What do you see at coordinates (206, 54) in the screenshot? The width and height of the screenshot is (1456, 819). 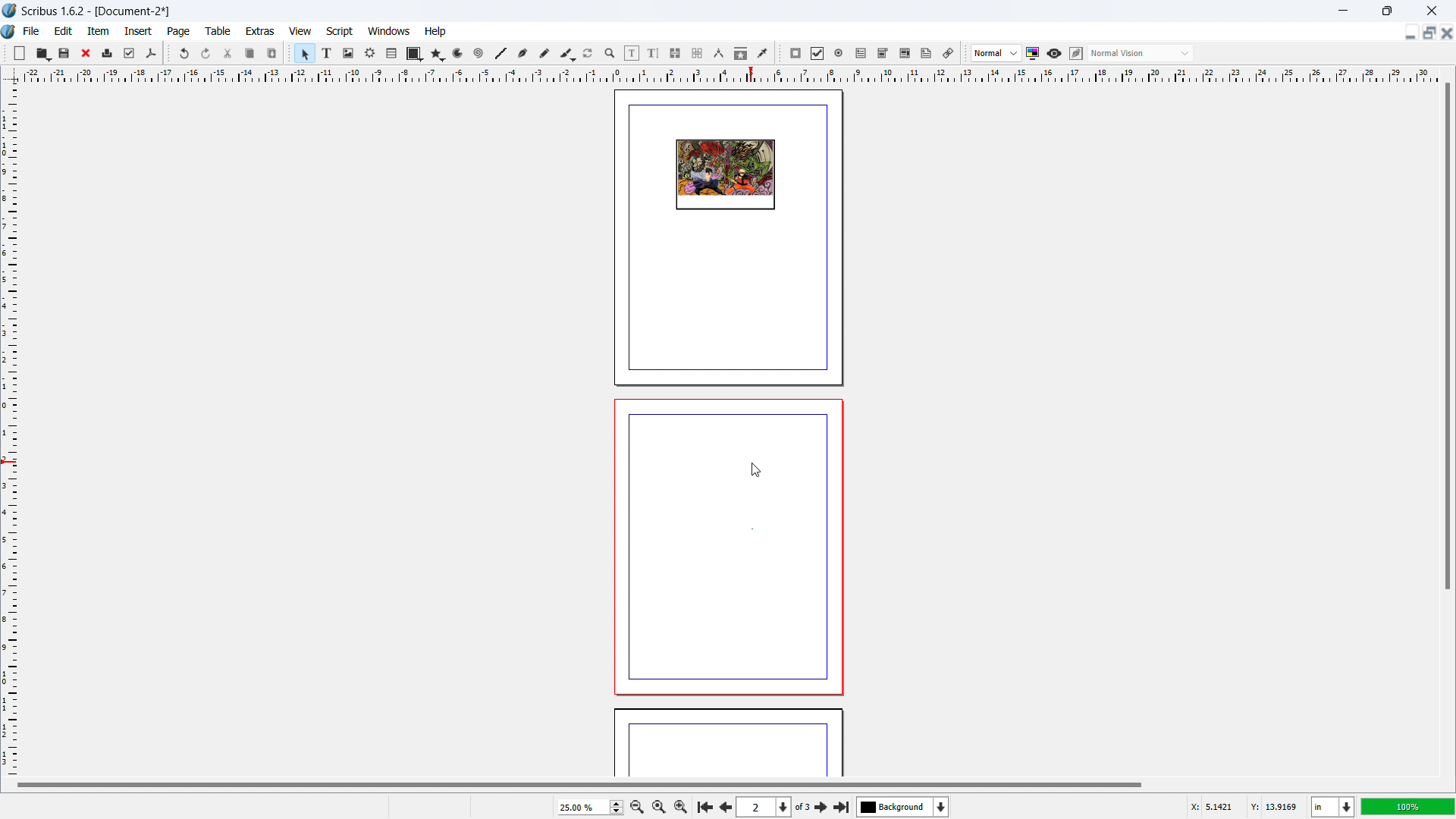 I see `redo` at bounding box center [206, 54].